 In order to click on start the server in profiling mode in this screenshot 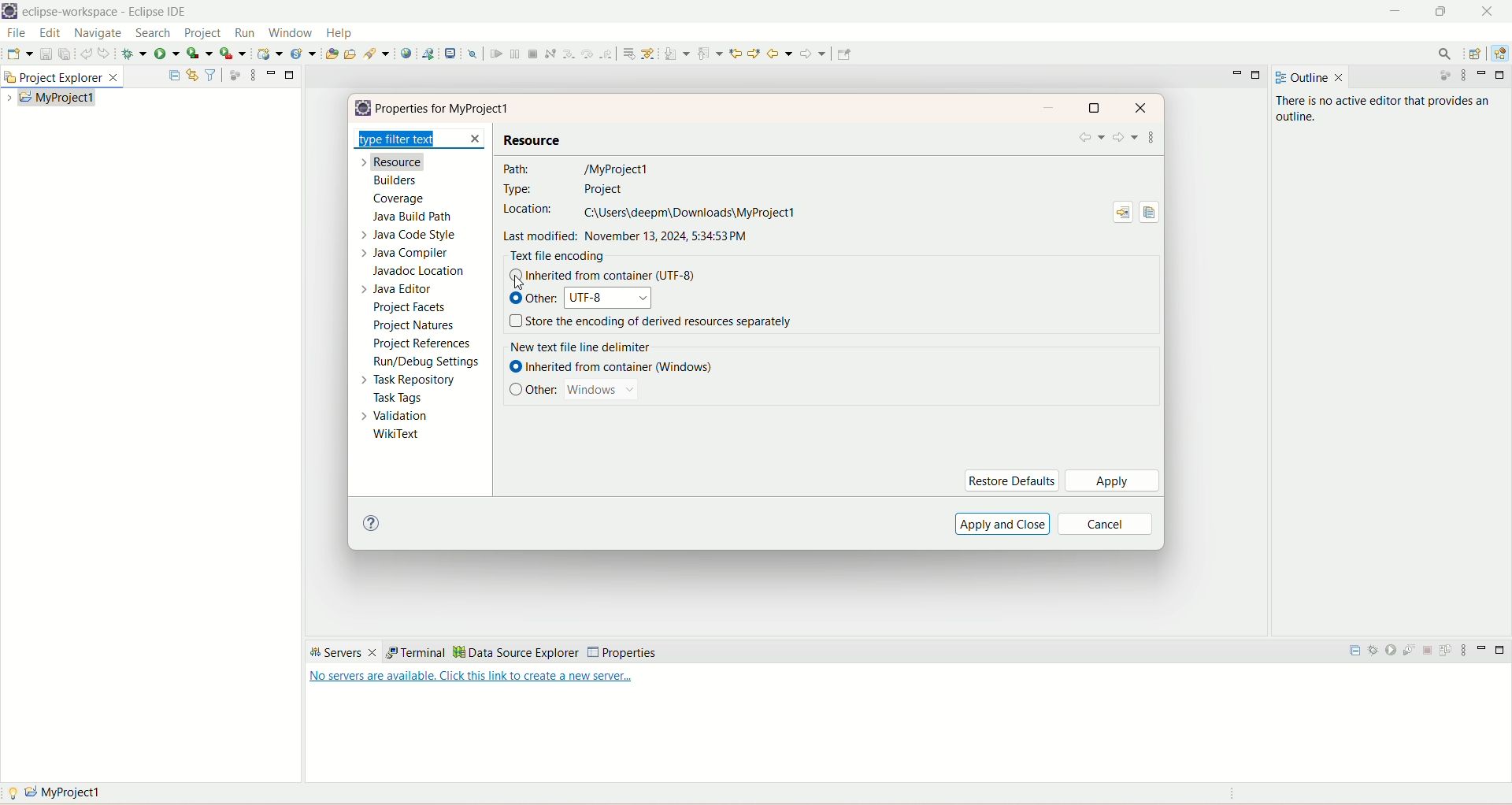, I will do `click(1412, 653)`.